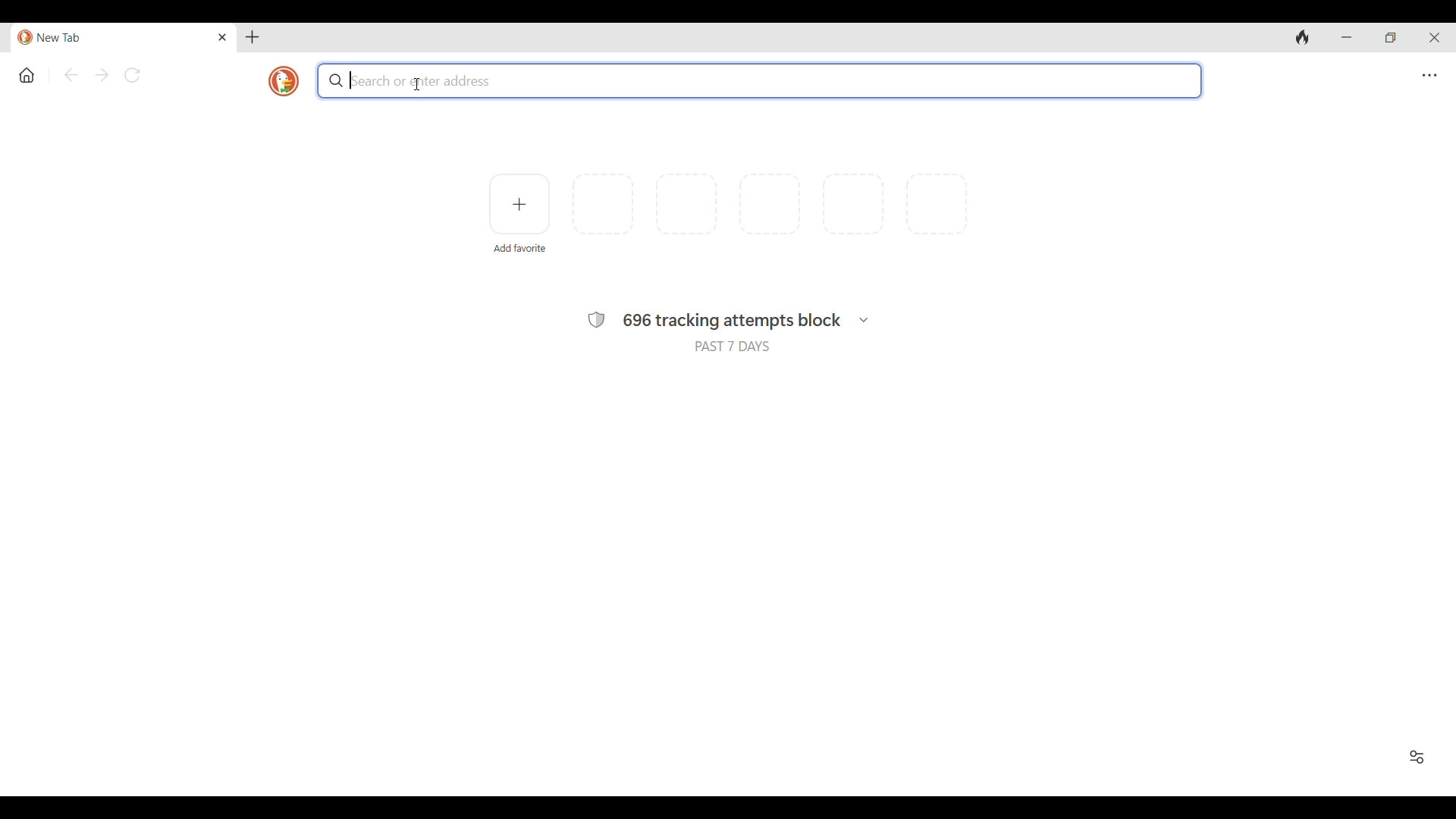  I want to click on Add new tab, so click(253, 37).